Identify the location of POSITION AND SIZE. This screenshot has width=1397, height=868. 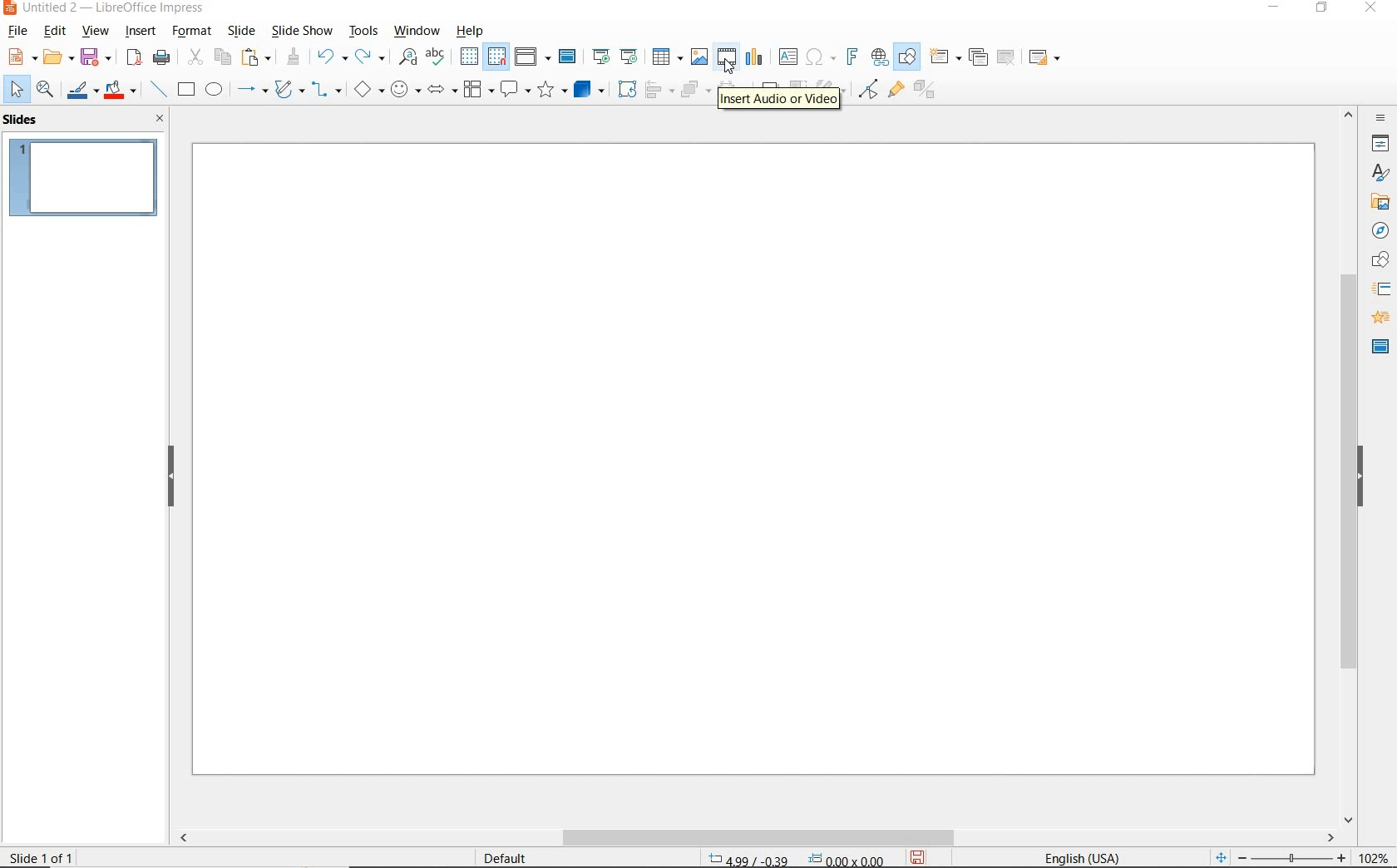
(797, 857).